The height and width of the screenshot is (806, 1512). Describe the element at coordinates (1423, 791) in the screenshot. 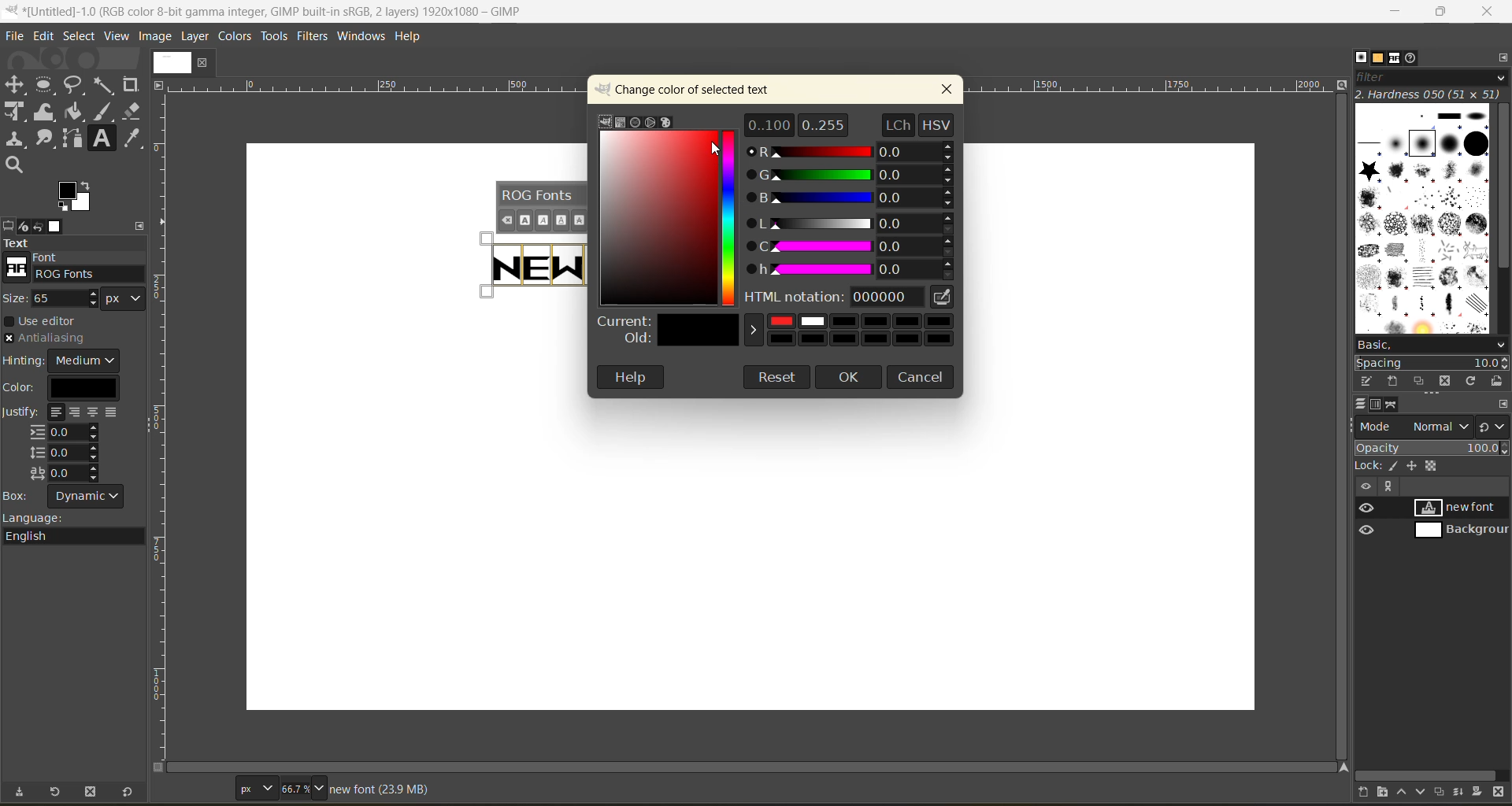

I see `lower this layer` at that location.